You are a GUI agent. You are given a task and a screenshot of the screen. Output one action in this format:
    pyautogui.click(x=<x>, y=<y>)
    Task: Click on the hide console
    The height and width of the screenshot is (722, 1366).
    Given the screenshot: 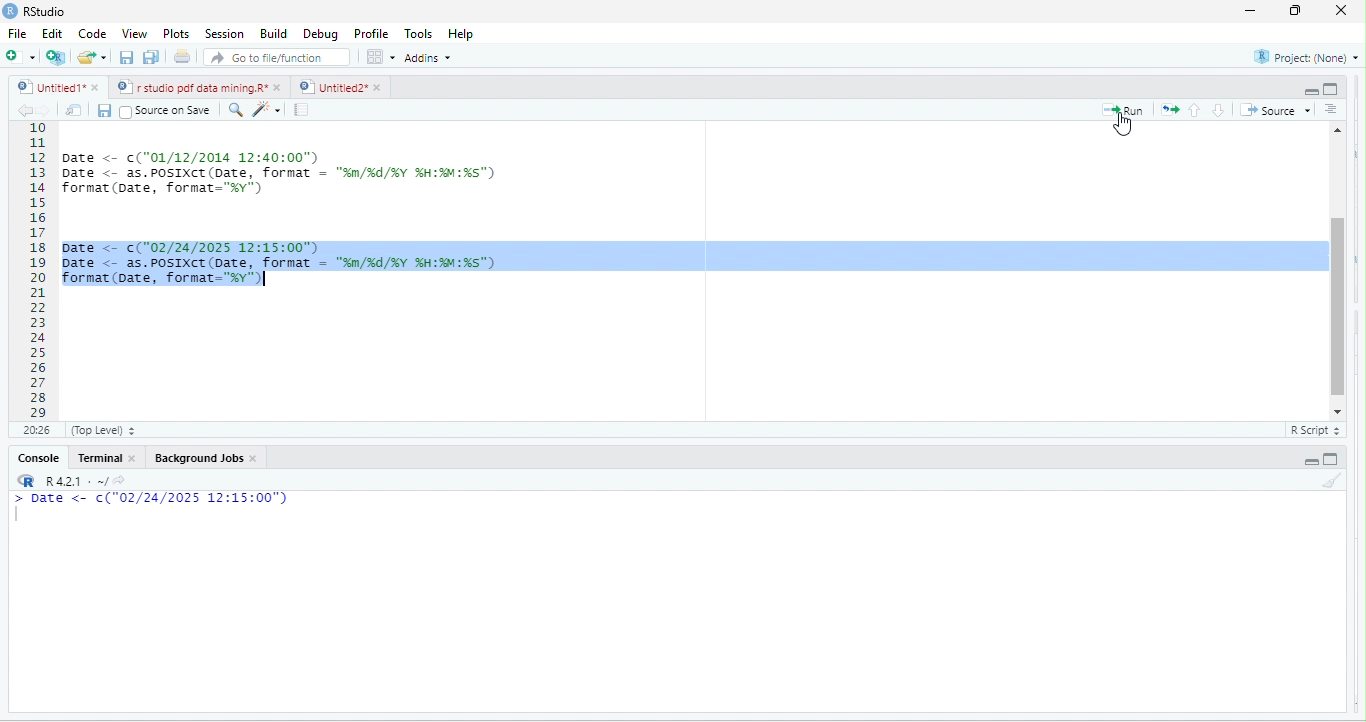 What is the action you would take?
    pyautogui.click(x=1334, y=458)
    